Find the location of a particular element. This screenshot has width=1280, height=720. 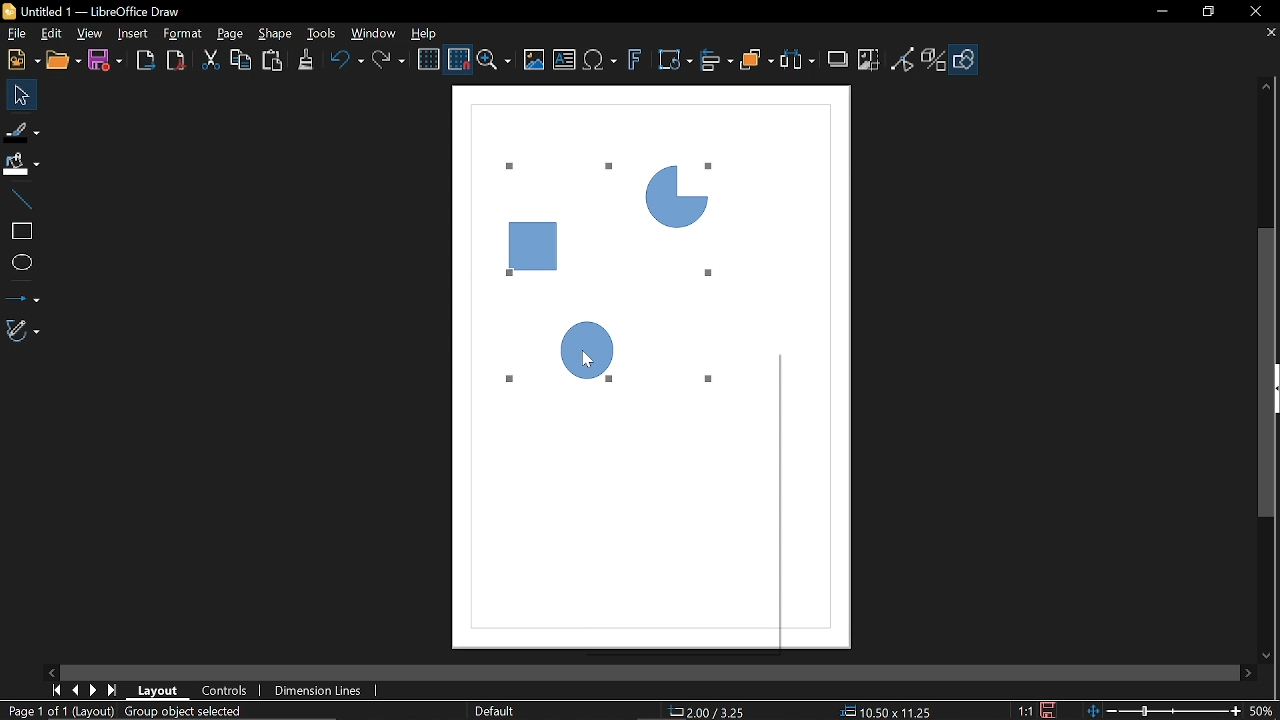

Snap to grid is located at coordinates (458, 58).